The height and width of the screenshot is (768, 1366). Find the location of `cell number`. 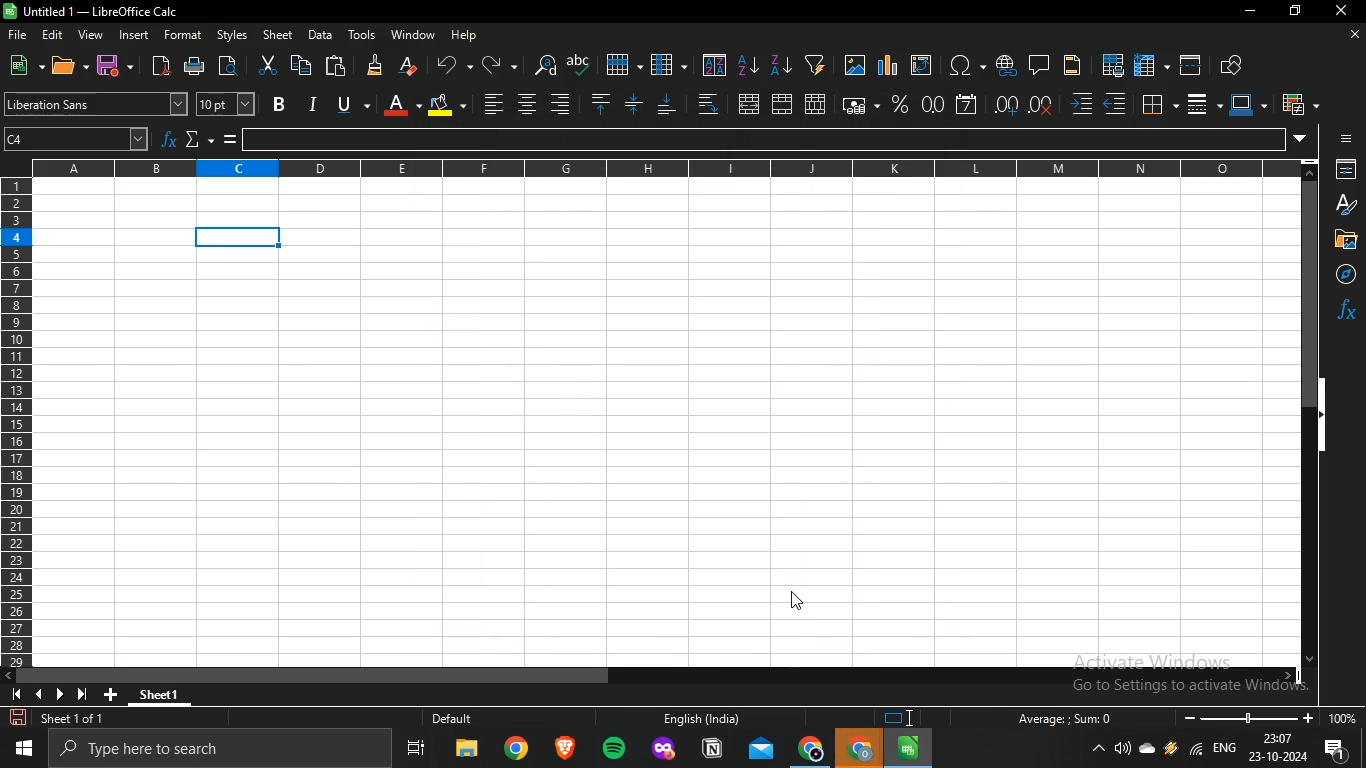

cell number is located at coordinates (79, 141).